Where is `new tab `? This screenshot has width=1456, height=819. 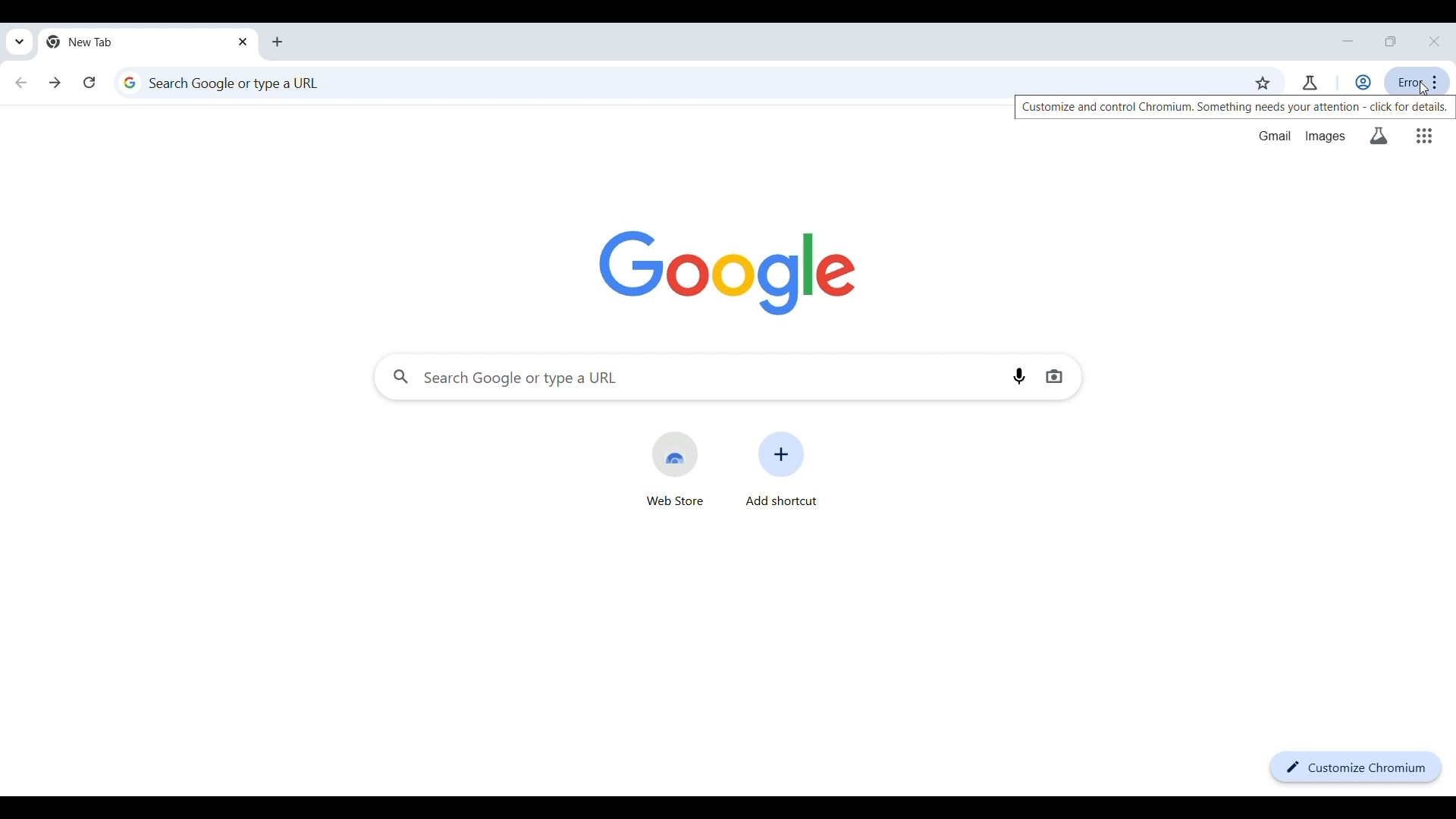 new tab  is located at coordinates (134, 42).